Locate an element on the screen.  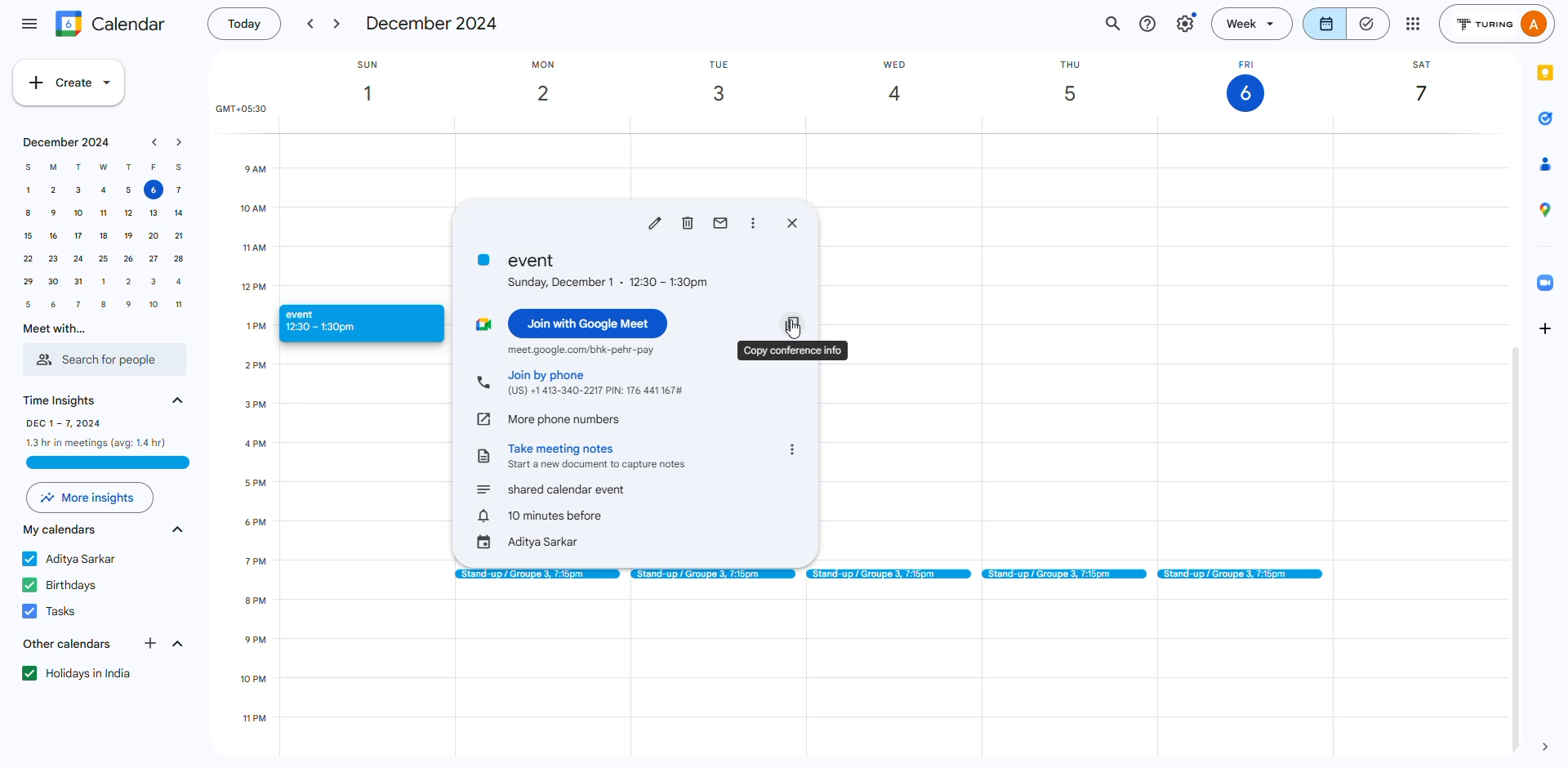
30 is located at coordinates (55, 281).